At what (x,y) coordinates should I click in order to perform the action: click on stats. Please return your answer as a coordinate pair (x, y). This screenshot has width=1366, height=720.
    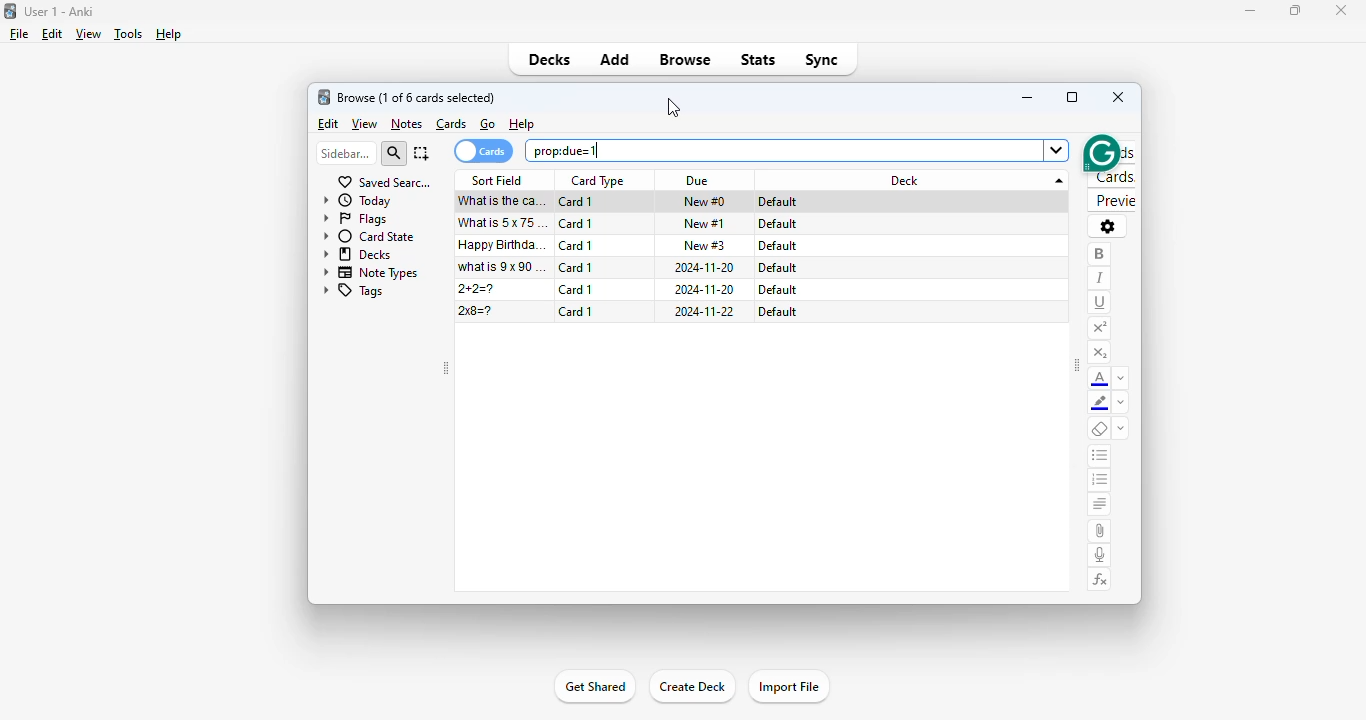
    Looking at the image, I should click on (758, 60).